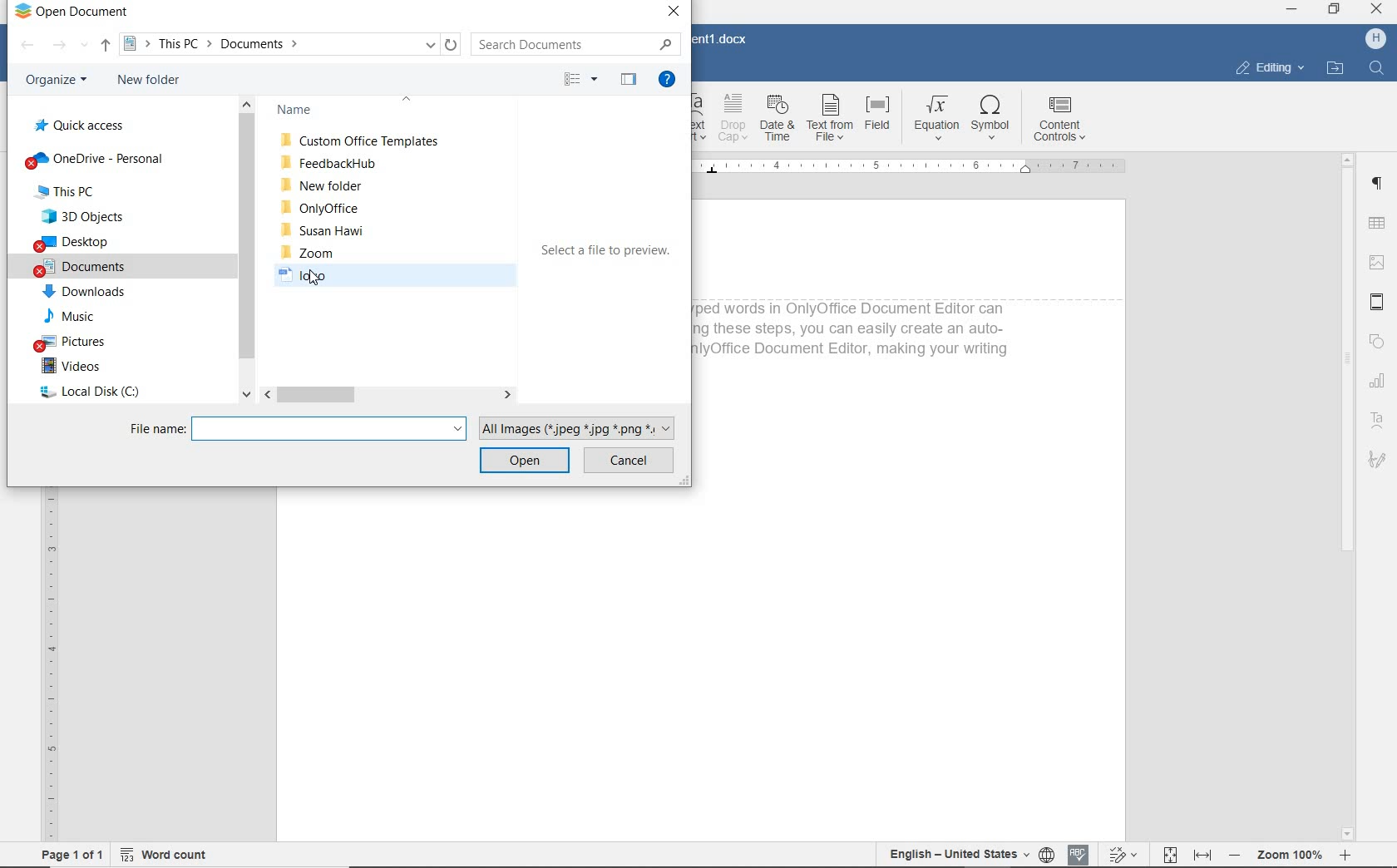 Image resolution: width=1397 pixels, height=868 pixels. I want to click on SCROLLBAR, so click(1348, 496).